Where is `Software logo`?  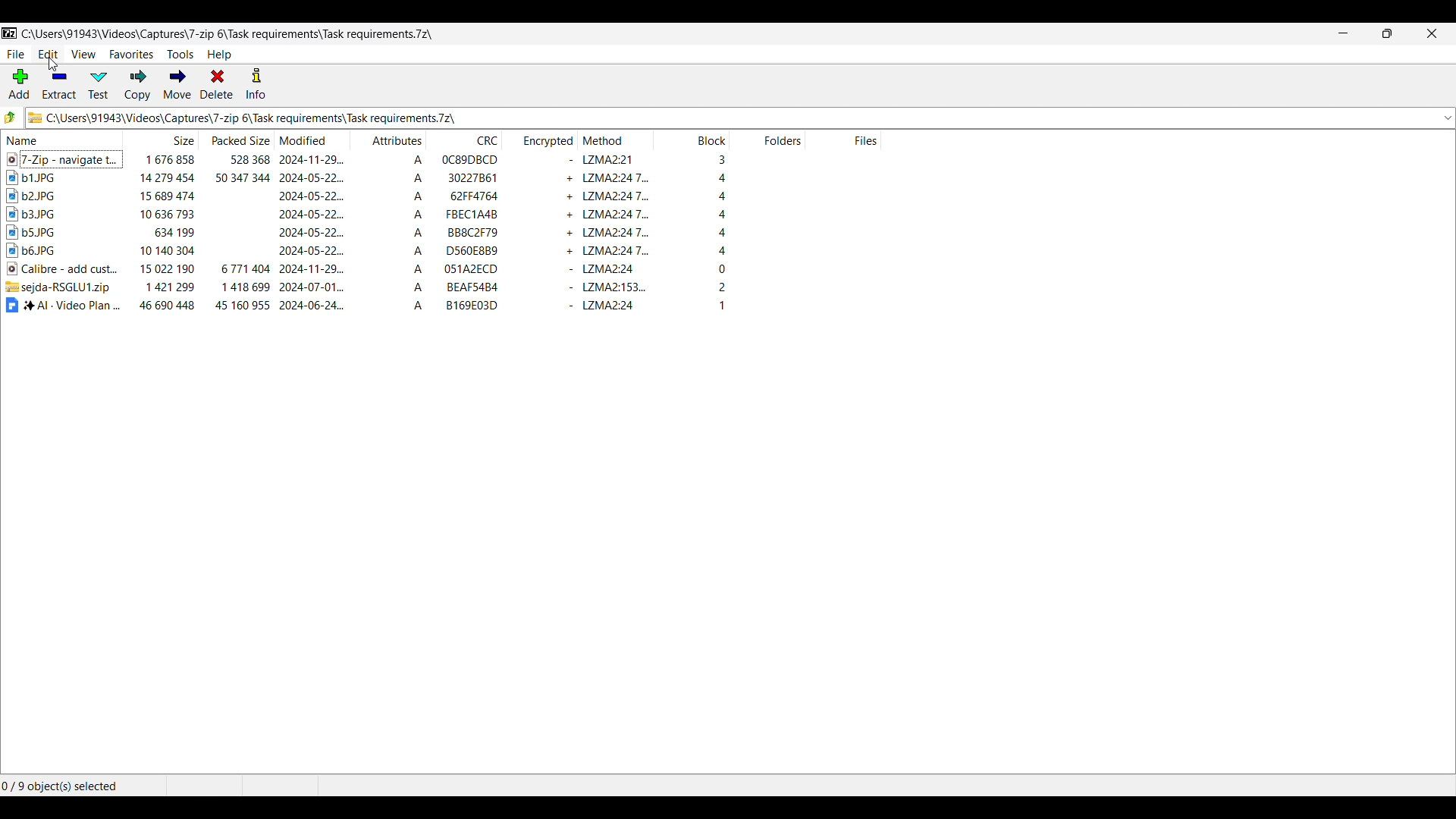
Software logo is located at coordinates (10, 33).